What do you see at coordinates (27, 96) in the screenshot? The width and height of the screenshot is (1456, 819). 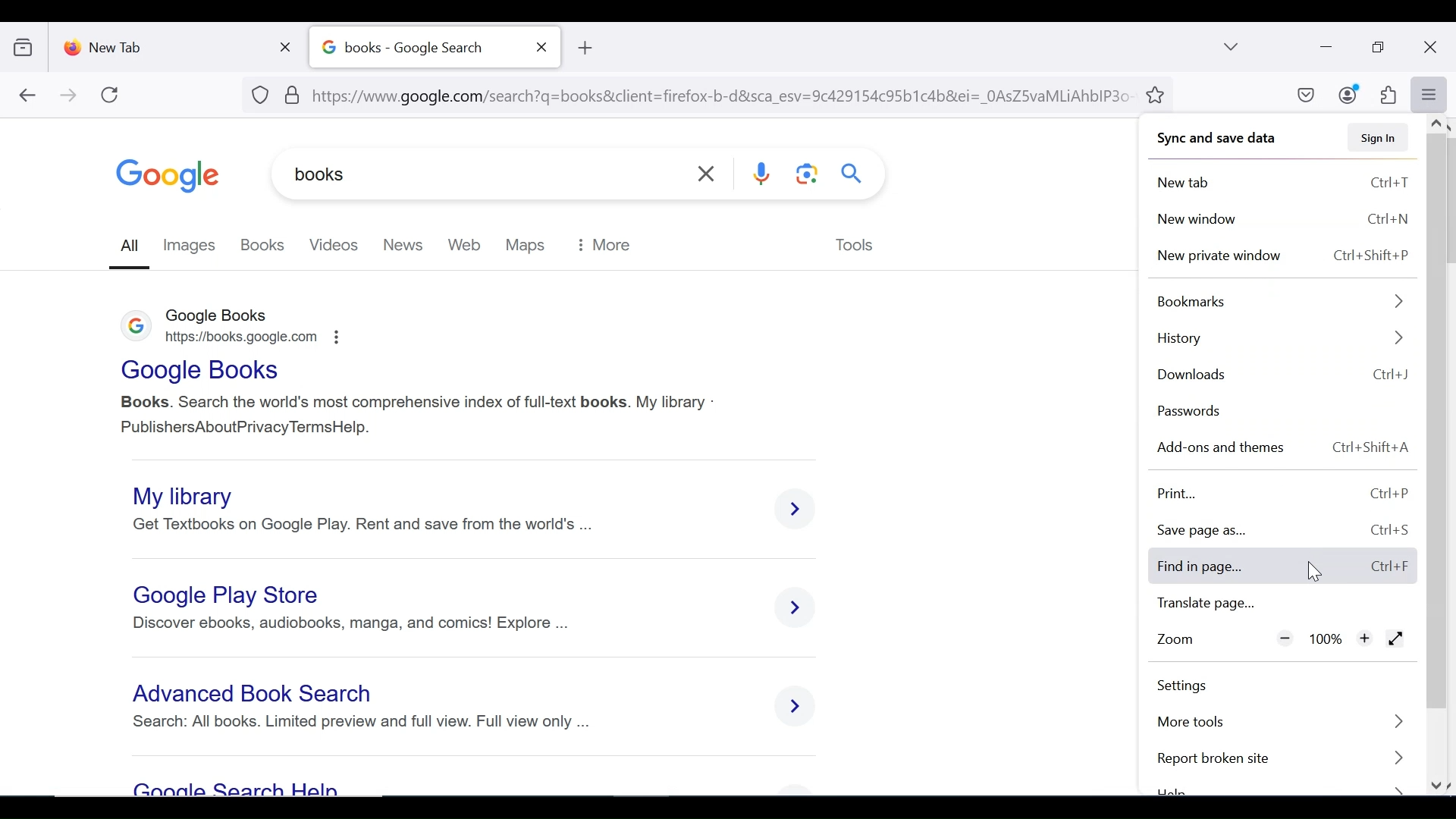 I see `back` at bounding box center [27, 96].